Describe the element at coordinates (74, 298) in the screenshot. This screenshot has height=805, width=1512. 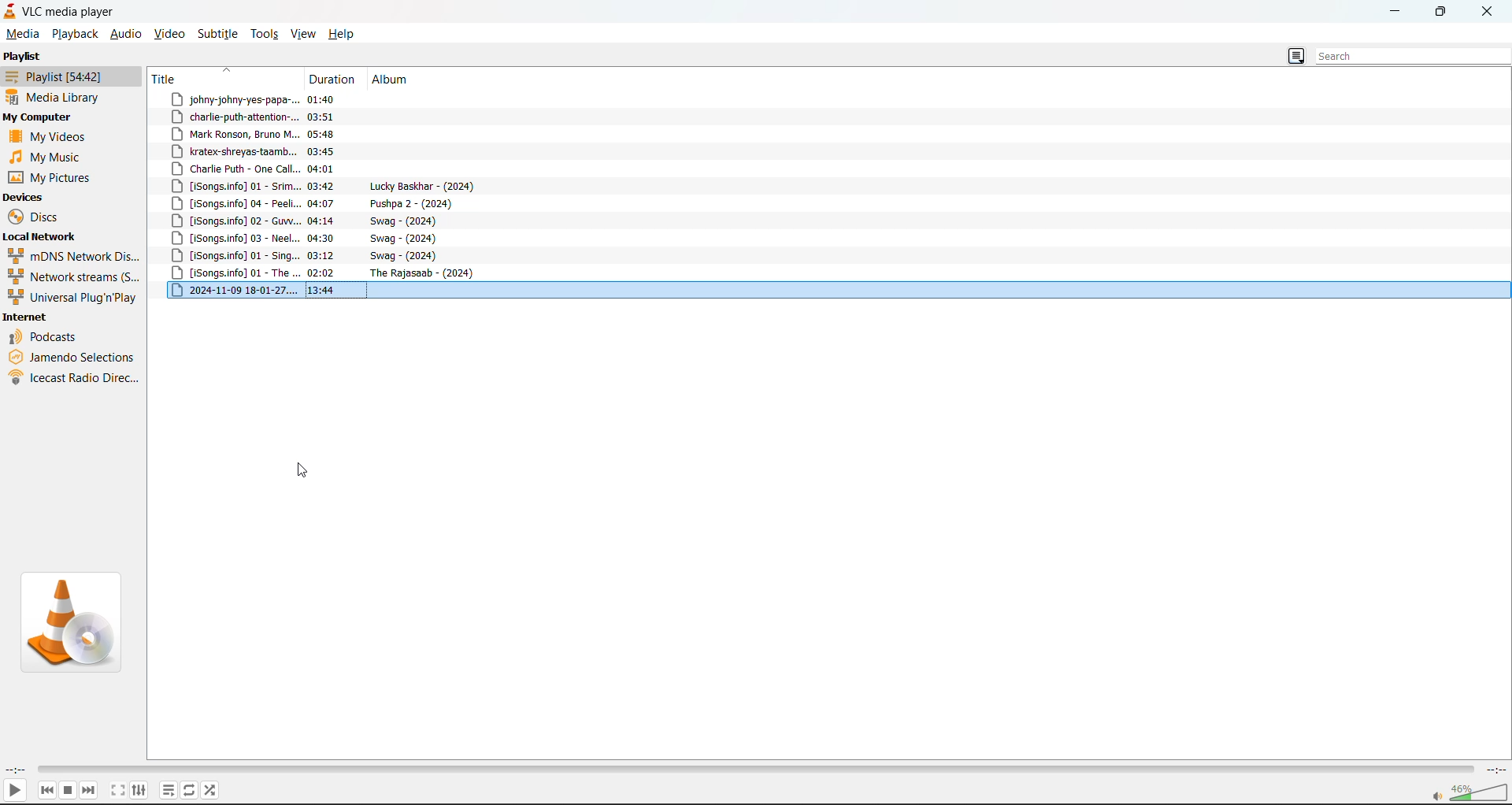
I see `universal plug n play` at that location.